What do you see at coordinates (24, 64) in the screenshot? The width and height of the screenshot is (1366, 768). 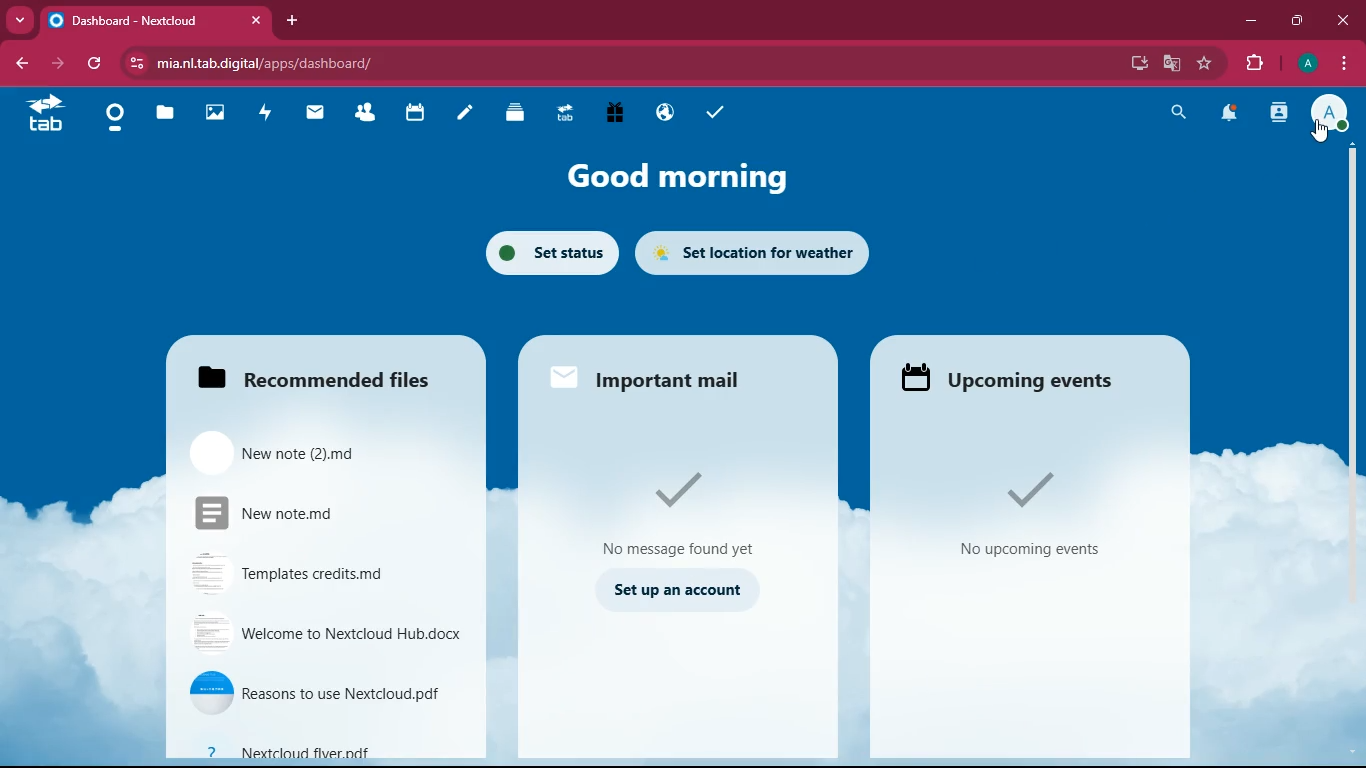 I see `back` at bounding box center [24, 64].